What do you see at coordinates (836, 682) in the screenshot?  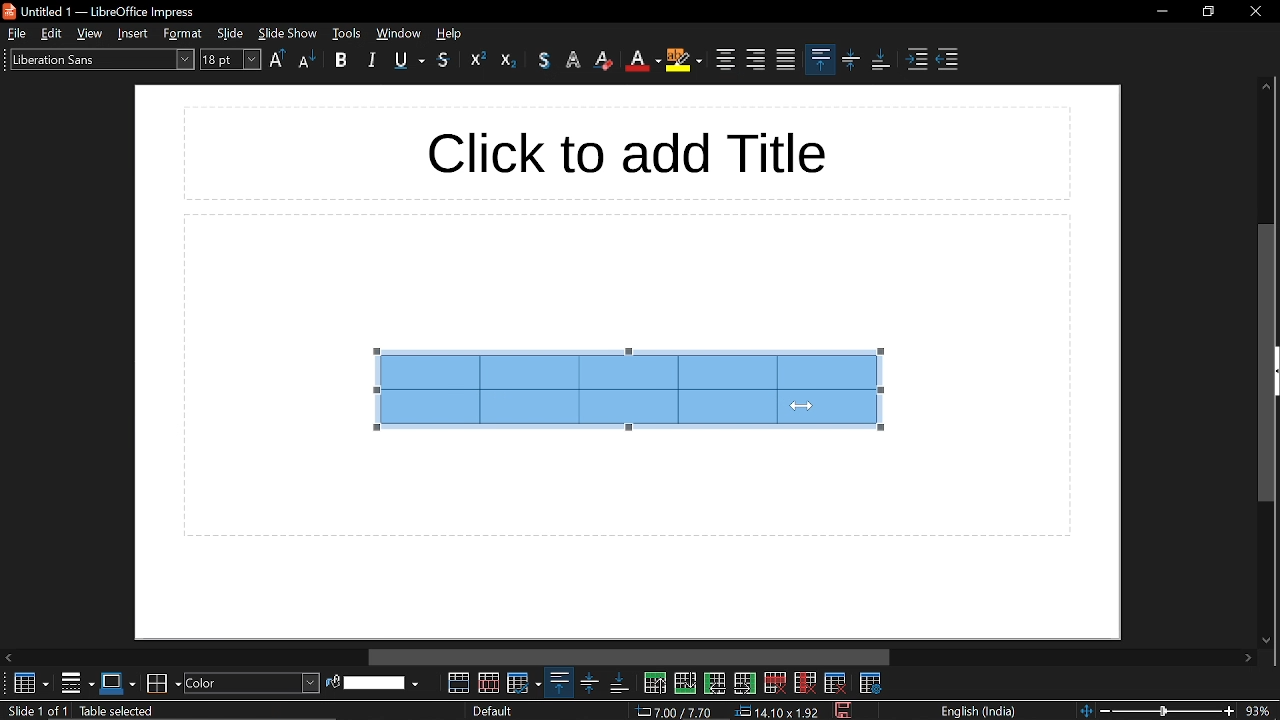 I see `delete table` at bounding box center [836, 682].